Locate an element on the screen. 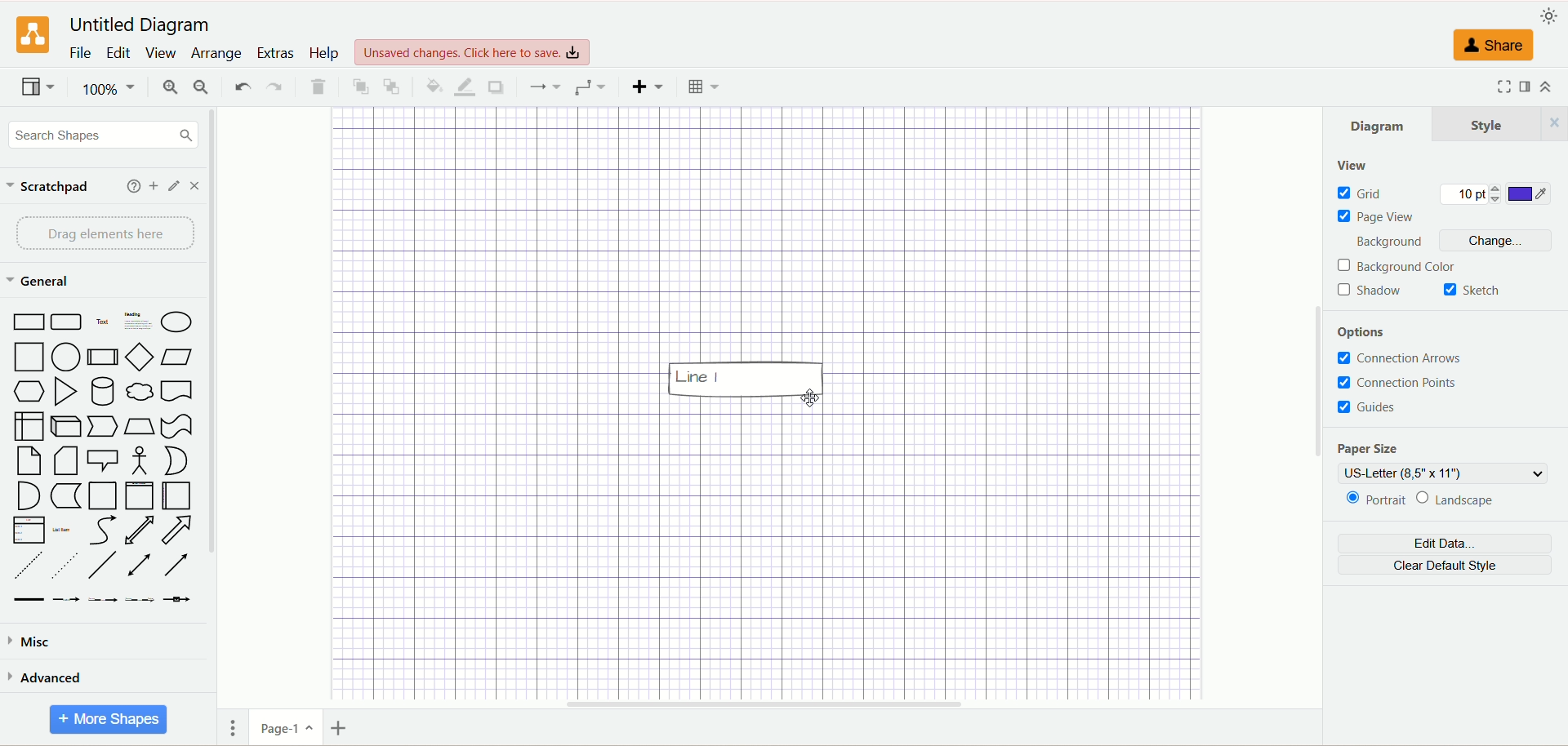  more shapes is located at coordinates (111, 717).